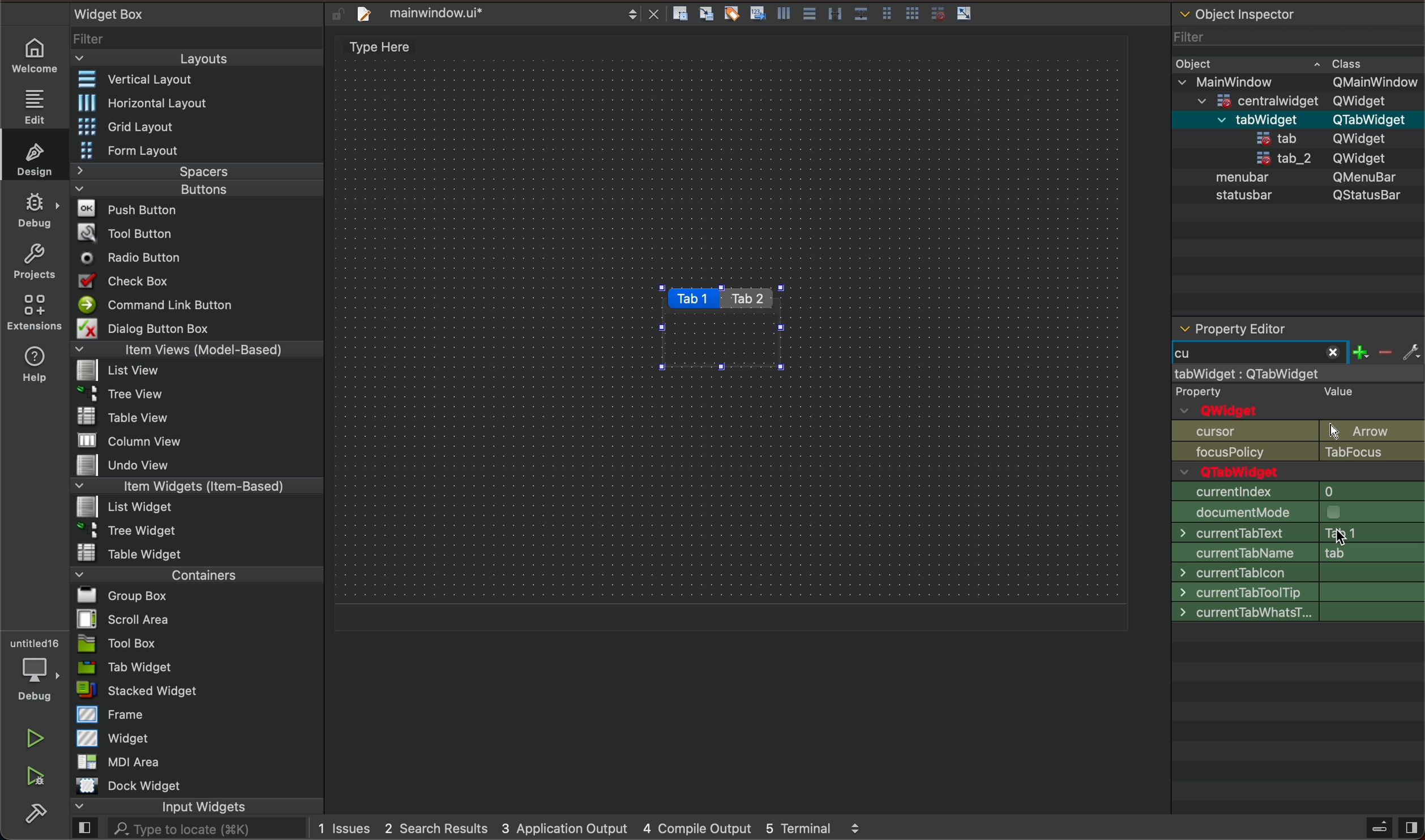  Describe the element at coordinates (1300, 716) in the screenshot. I see `focus` at that location.